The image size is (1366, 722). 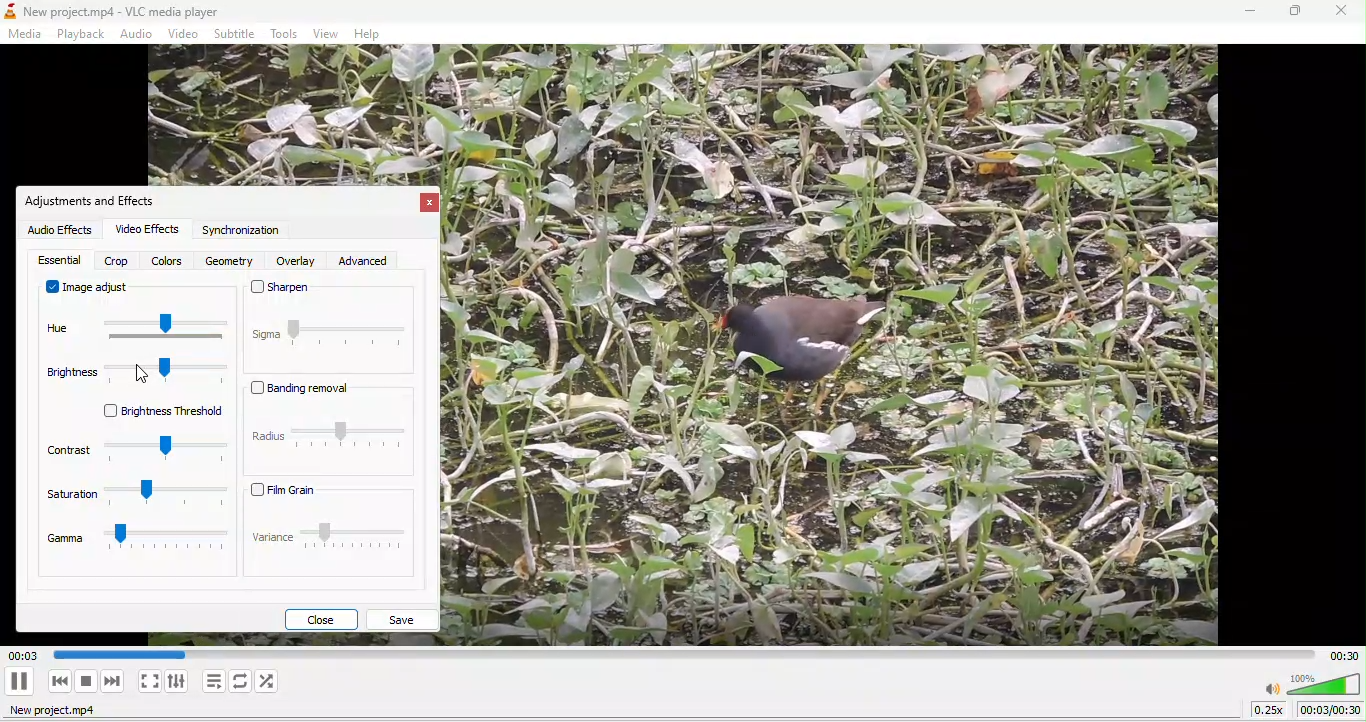 I want to click on advanced, so click(x=376, y=260).